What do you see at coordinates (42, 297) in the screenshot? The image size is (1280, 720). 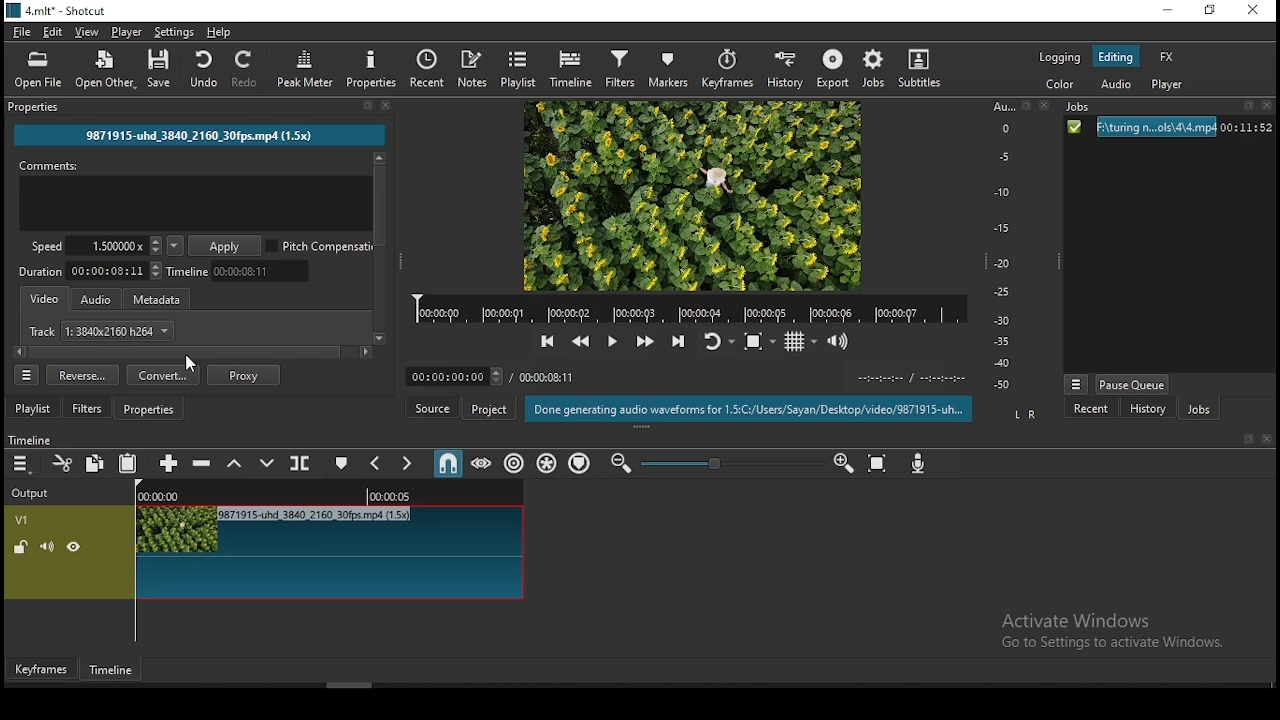 I see `video` at bounding box center [42, 297].